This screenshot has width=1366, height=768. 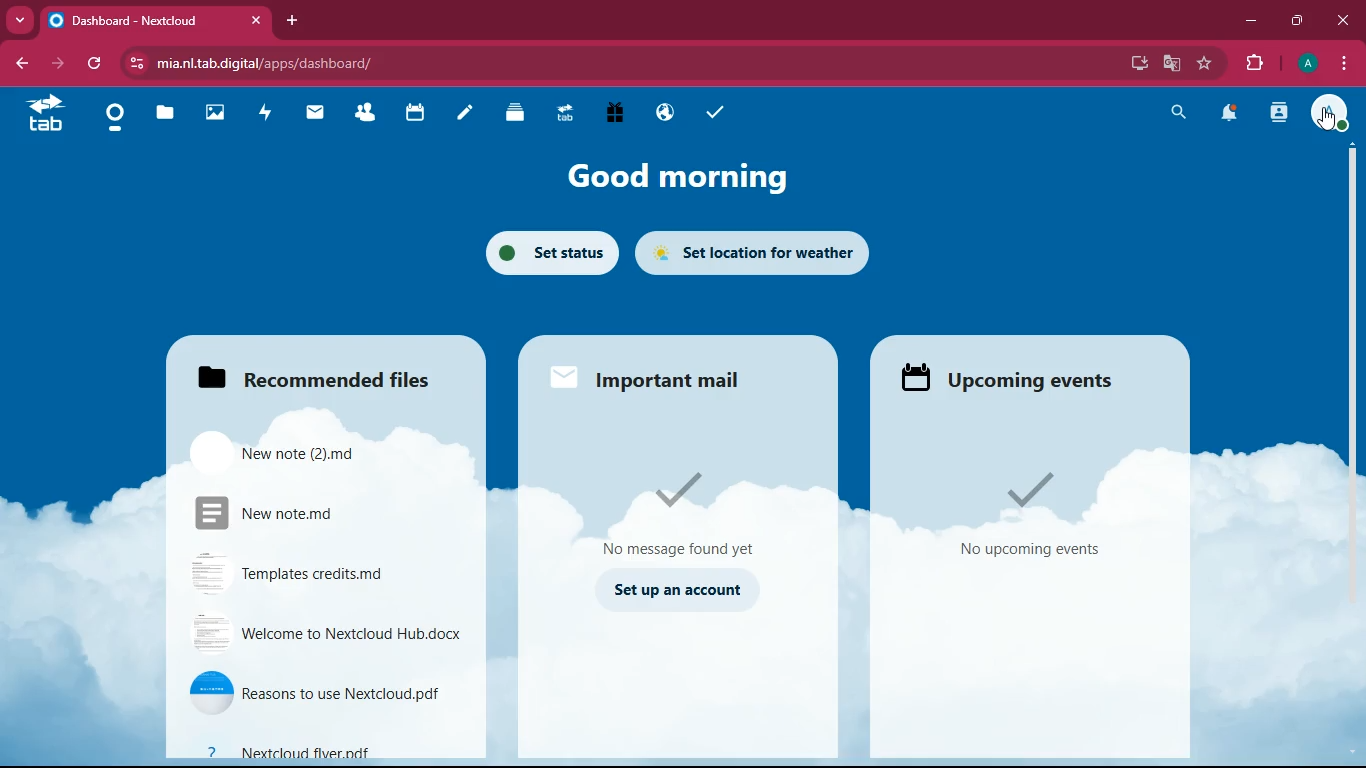 I want to click on public, so click(x=662, y=112).